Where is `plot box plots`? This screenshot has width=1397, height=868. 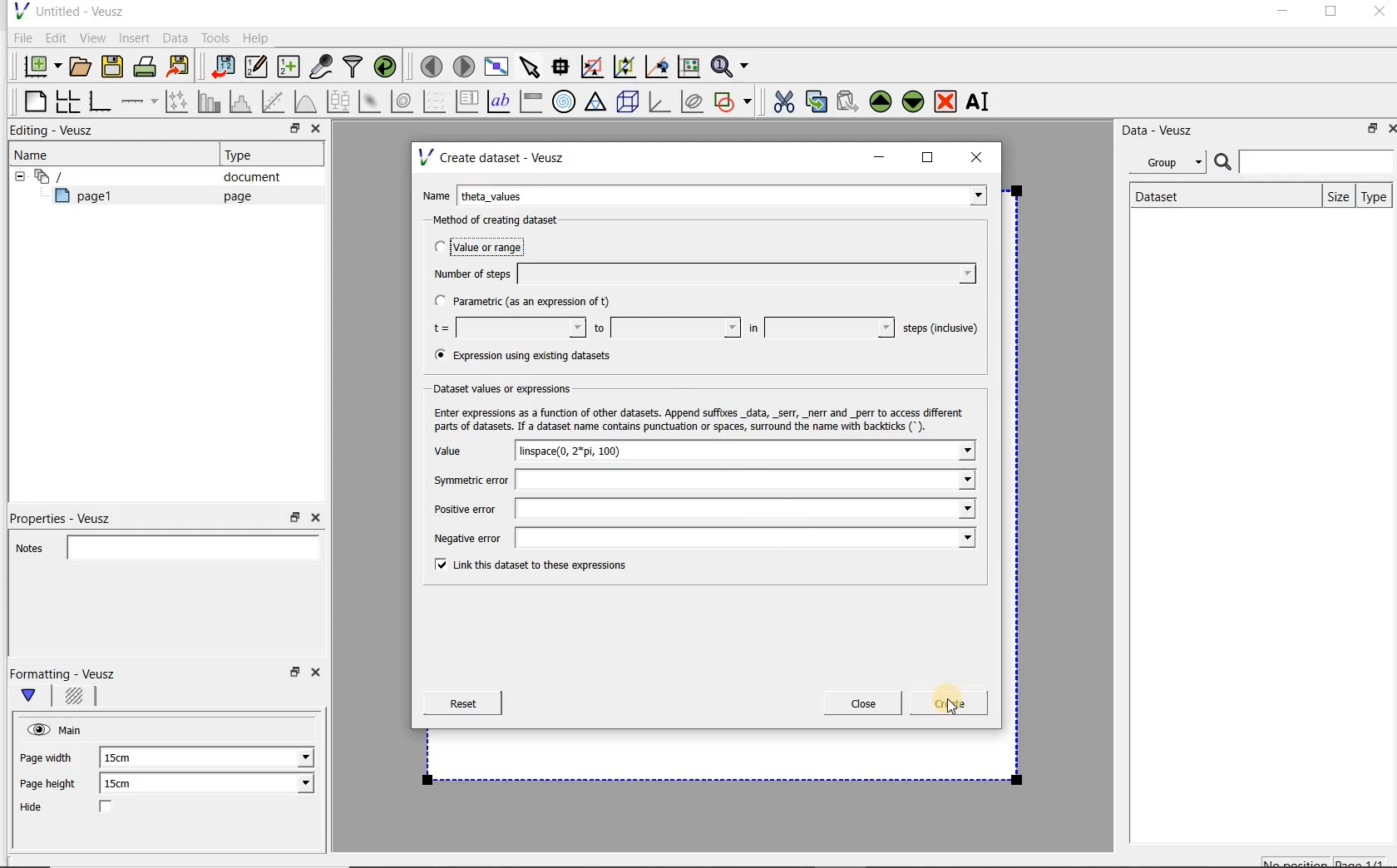
plot box plots is located at coordinates (338, 102).